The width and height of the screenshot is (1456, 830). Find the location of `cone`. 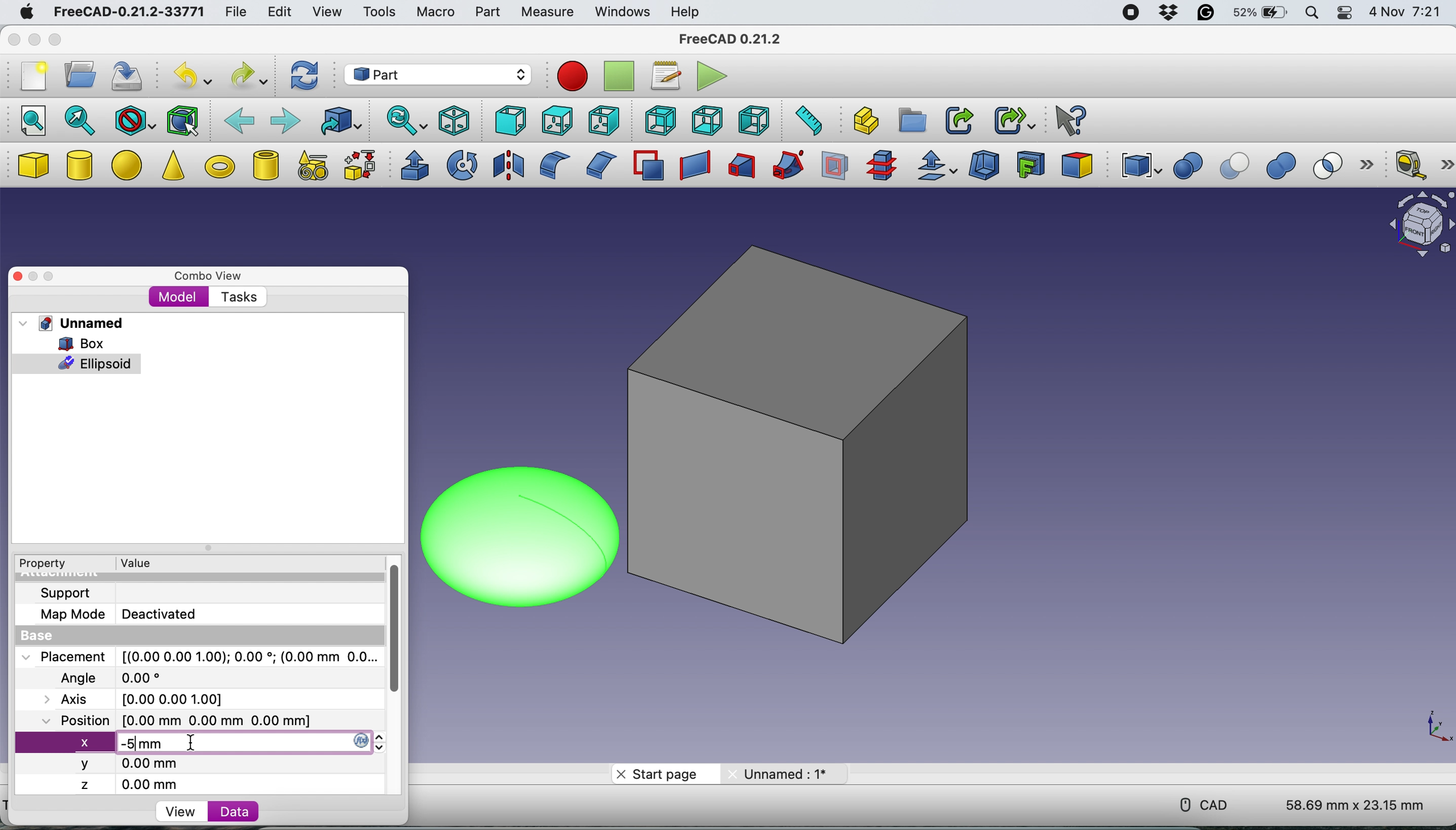

cone is located at coordinates (173, 168).